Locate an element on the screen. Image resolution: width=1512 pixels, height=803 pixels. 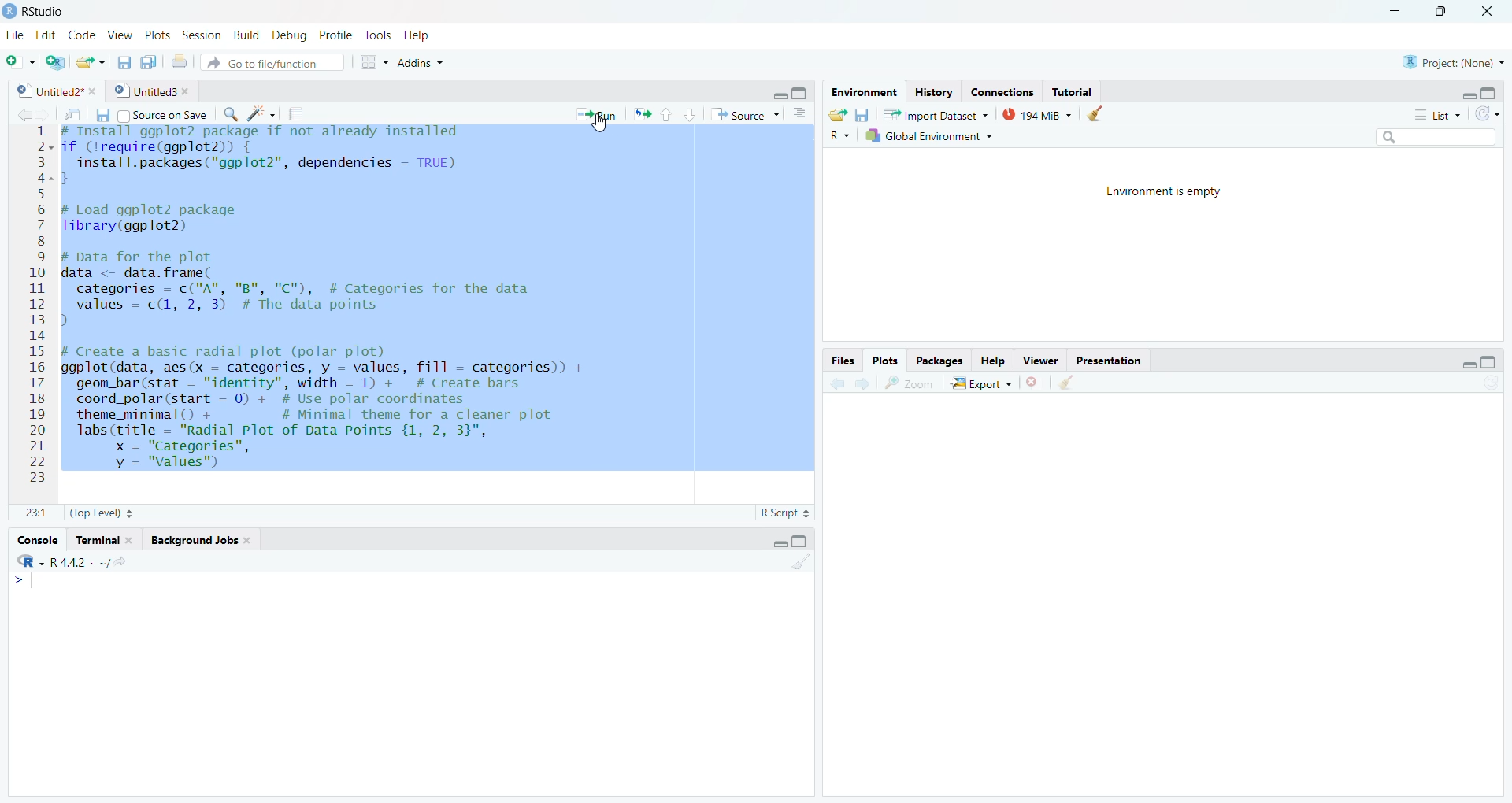
down is located at coordinates (690, 113).